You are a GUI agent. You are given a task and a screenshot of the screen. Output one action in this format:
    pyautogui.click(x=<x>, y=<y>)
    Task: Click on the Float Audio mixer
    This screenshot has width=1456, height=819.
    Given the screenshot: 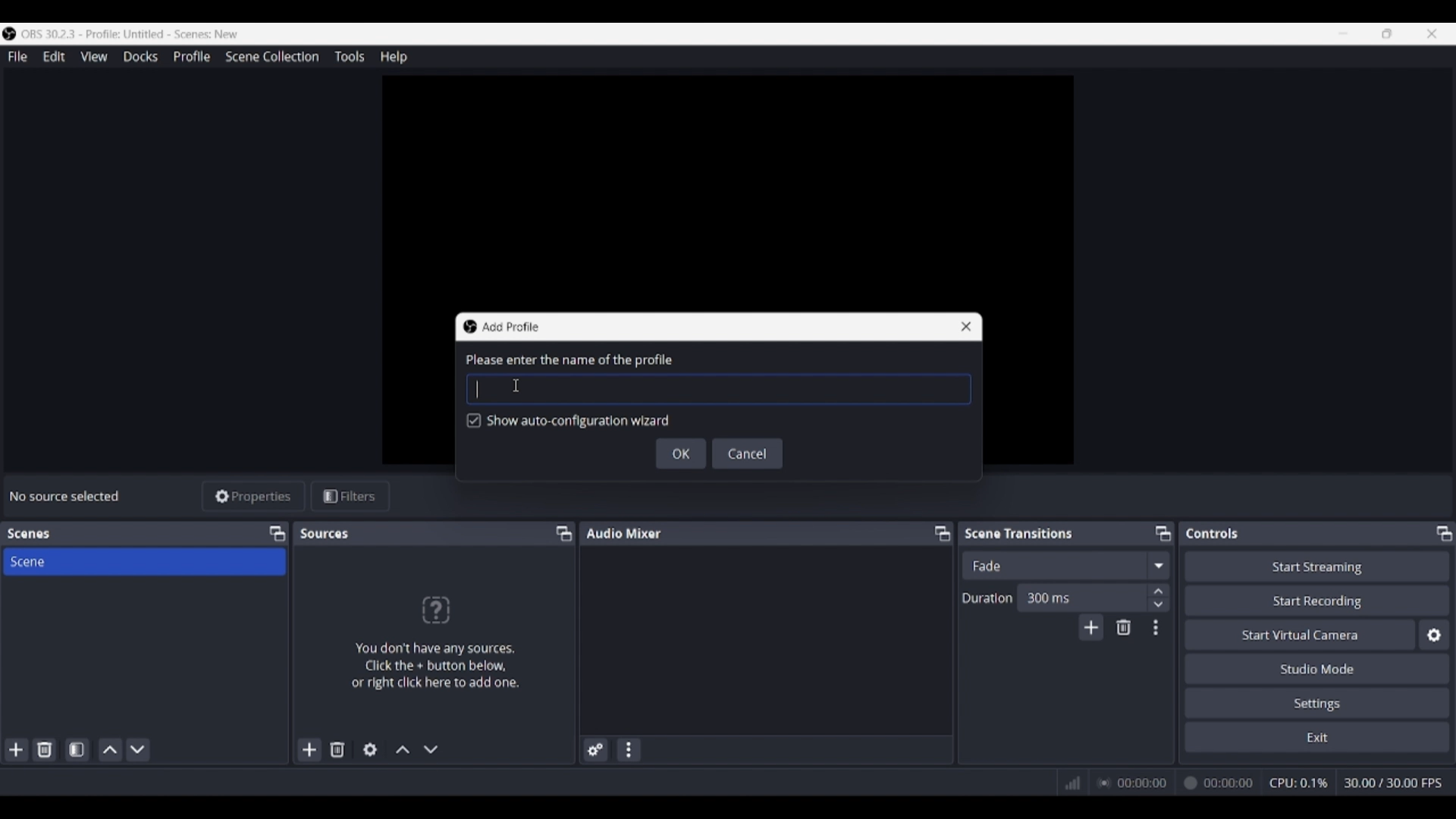 What is the action you would take?
    pyautogui.click(x=942, y=533)
    